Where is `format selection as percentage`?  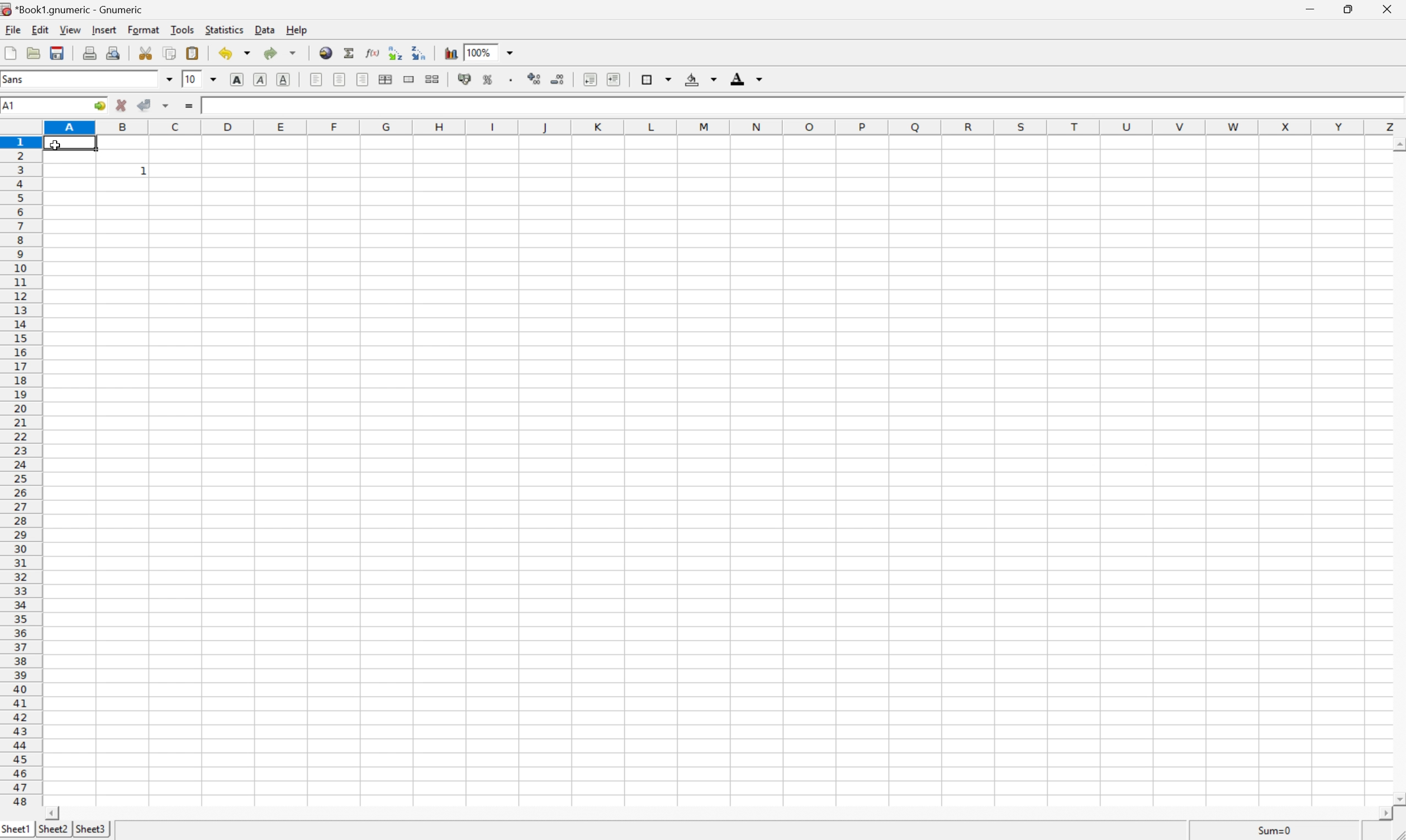
format selection as percentage is located at coordinates (490, 79).